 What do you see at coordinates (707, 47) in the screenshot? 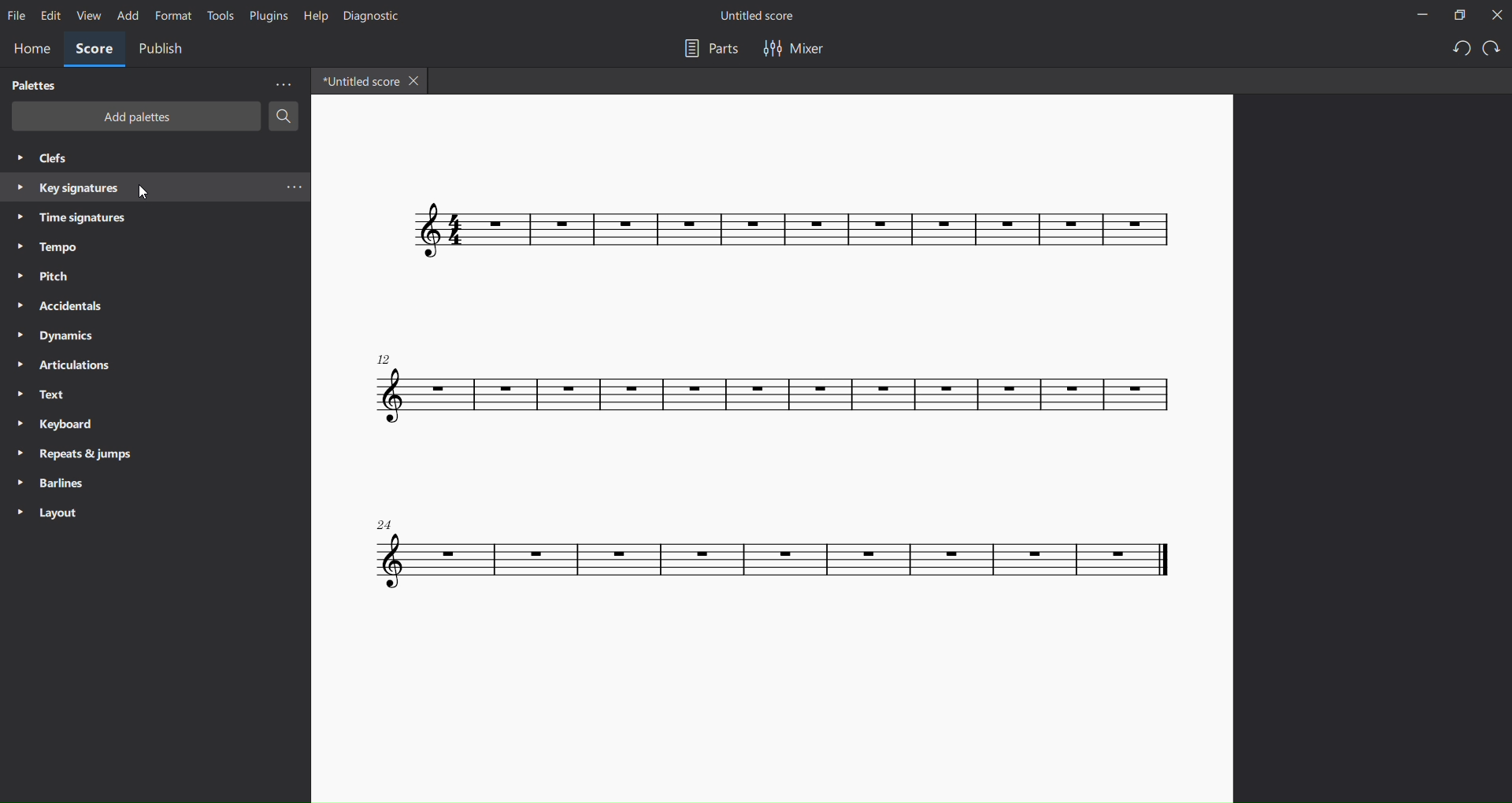
I see `parts` at bounding box center [707, 47].